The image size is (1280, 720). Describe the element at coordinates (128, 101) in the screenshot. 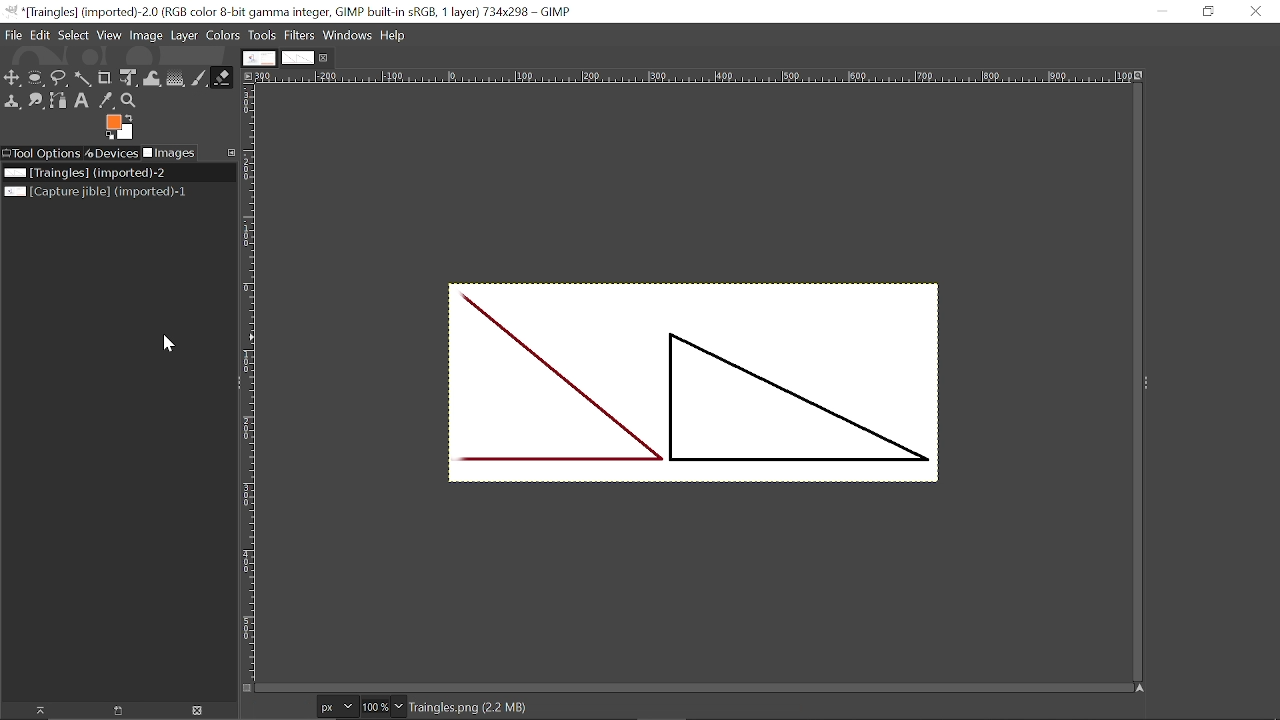

I see `Zoom tool` at that location.